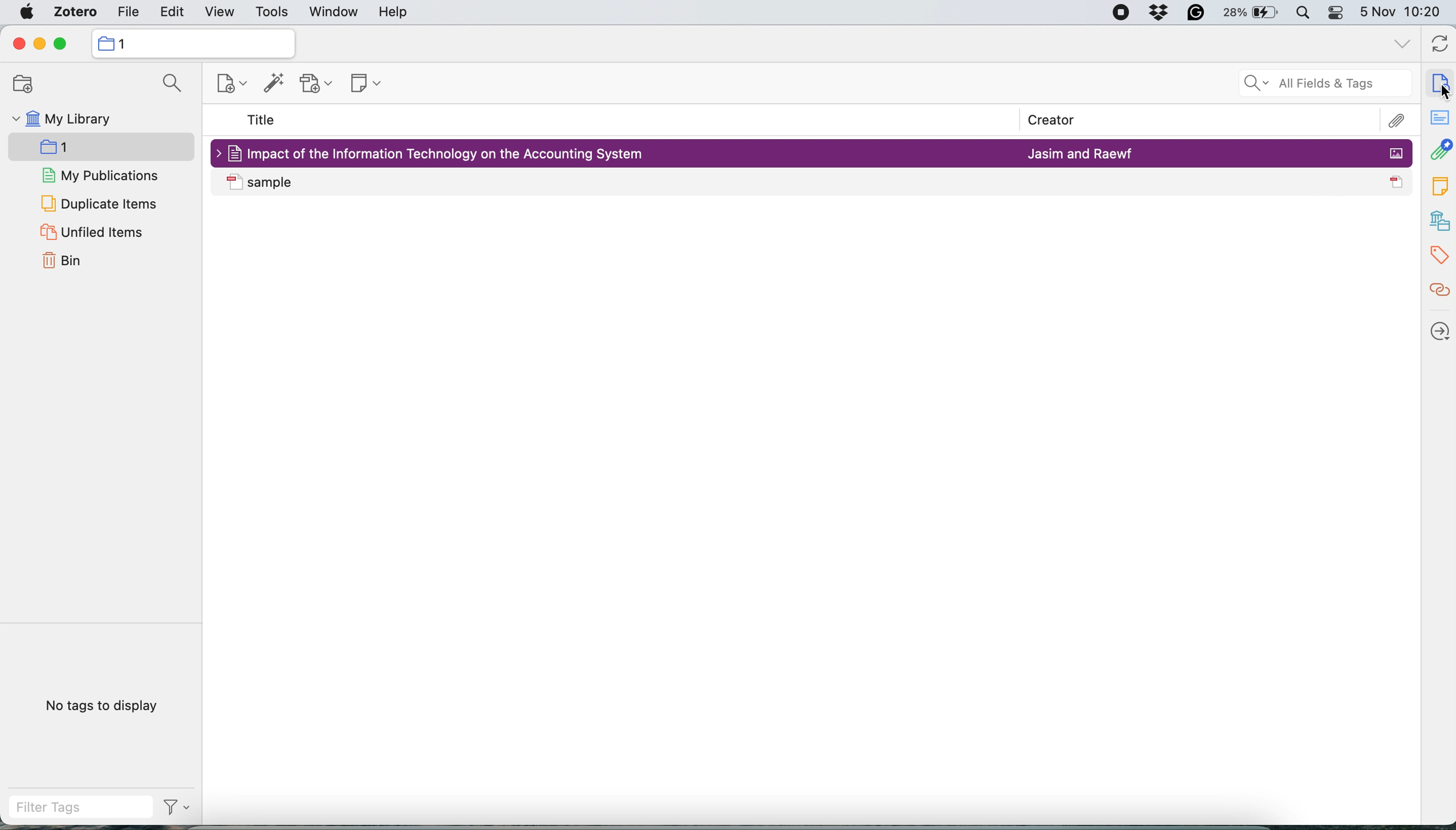  I want to click on help, so click(395, 13).